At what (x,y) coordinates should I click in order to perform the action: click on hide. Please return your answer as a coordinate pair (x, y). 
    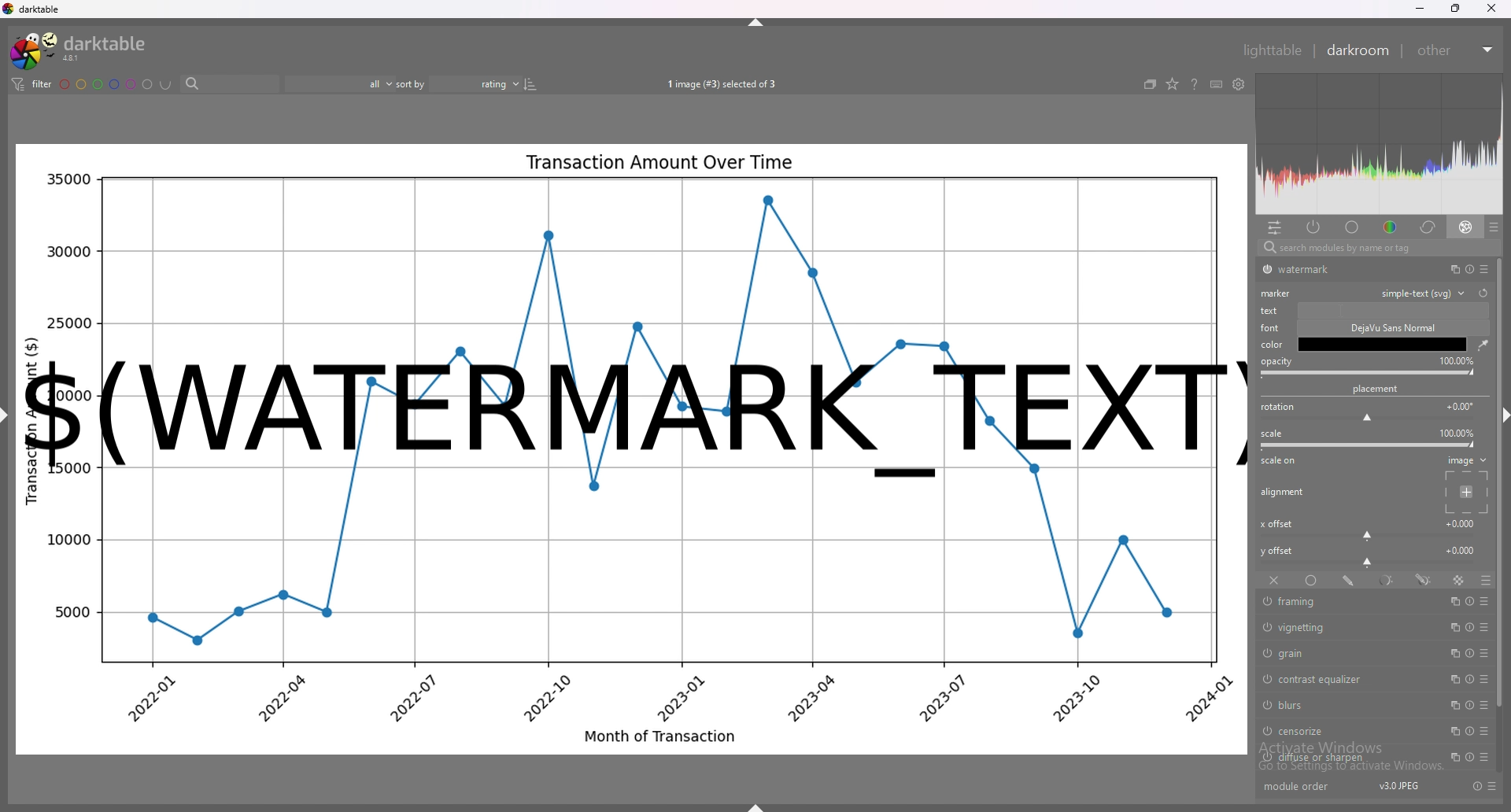
    Looking at the image, I should click on (1502, 418).